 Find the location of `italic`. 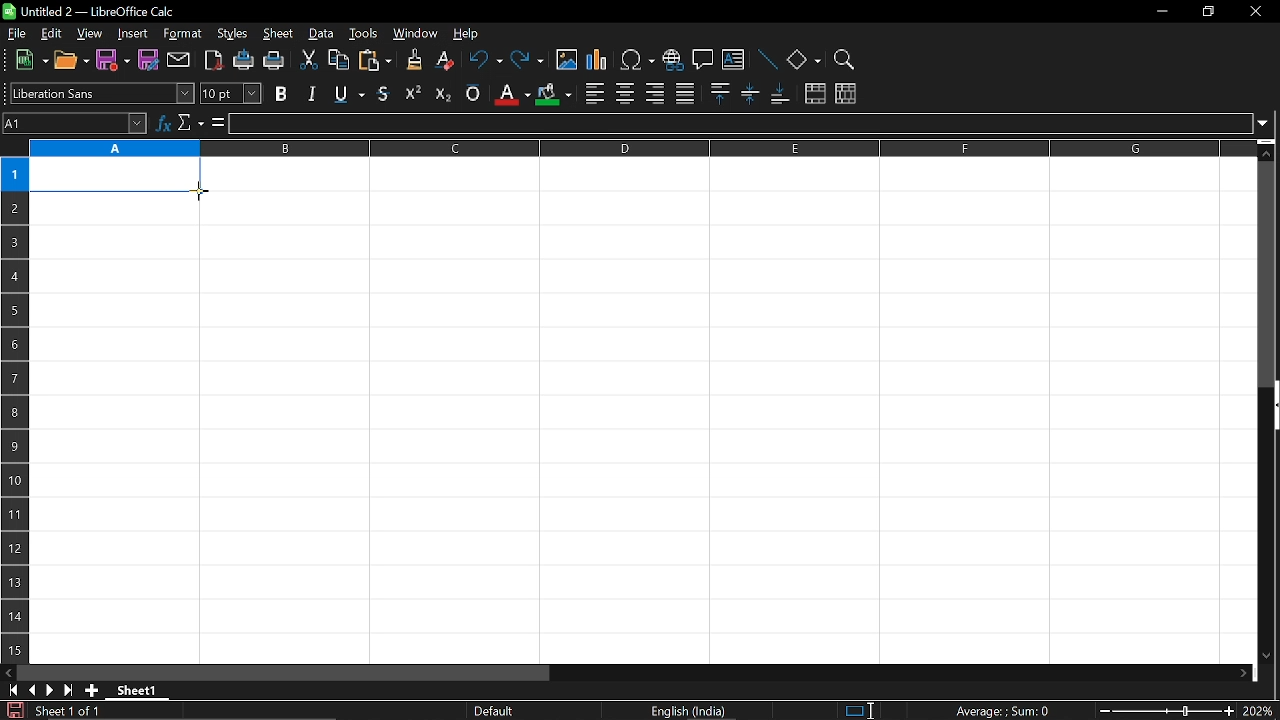

italic is located at coordinates (311, 93).